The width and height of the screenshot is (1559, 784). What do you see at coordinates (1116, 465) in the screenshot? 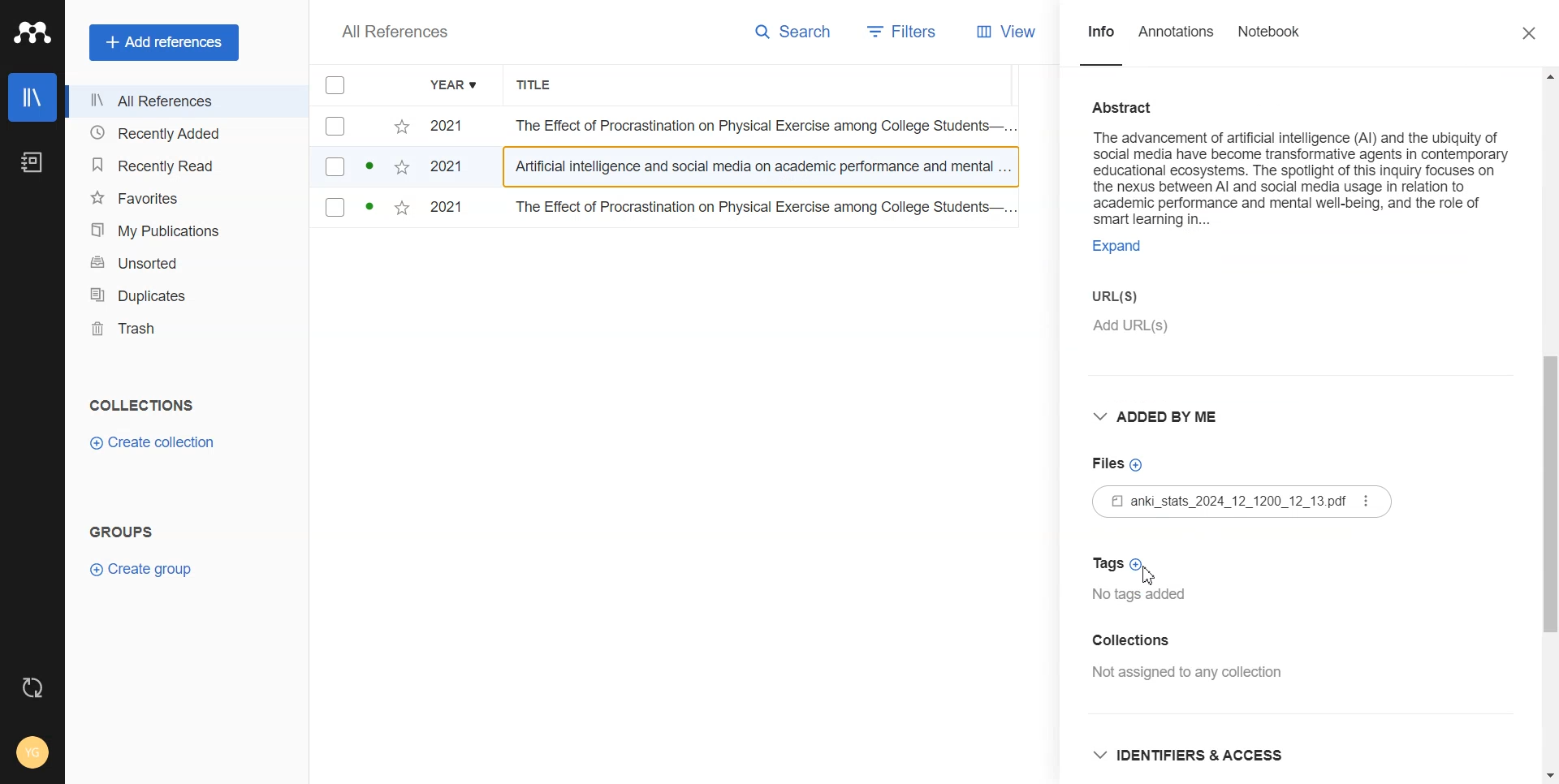
I see `Add files` at bounding box center [1116, 465].